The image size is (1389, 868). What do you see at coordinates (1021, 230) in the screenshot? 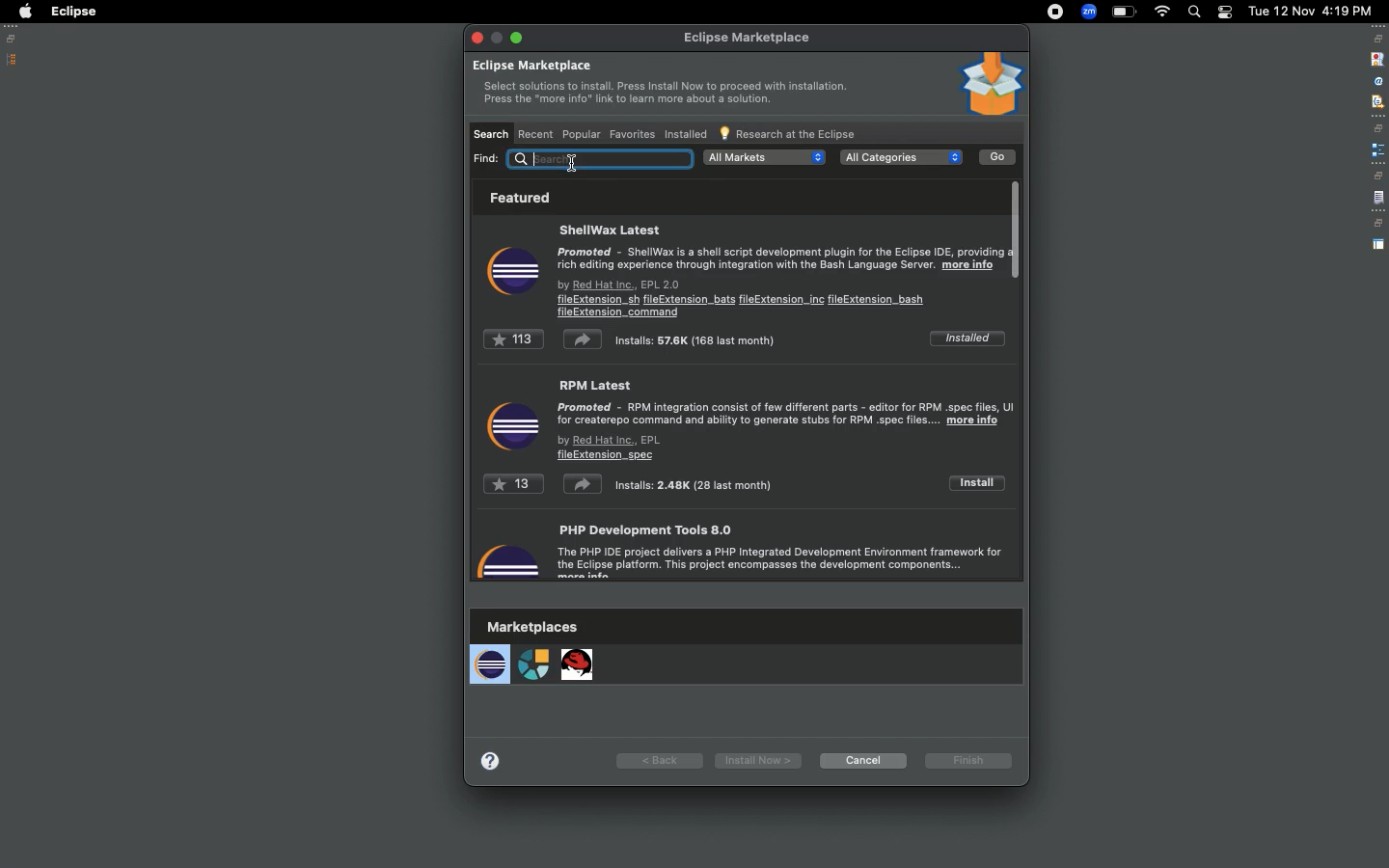
I see `Scroll` at bounding box center [1021, 230].